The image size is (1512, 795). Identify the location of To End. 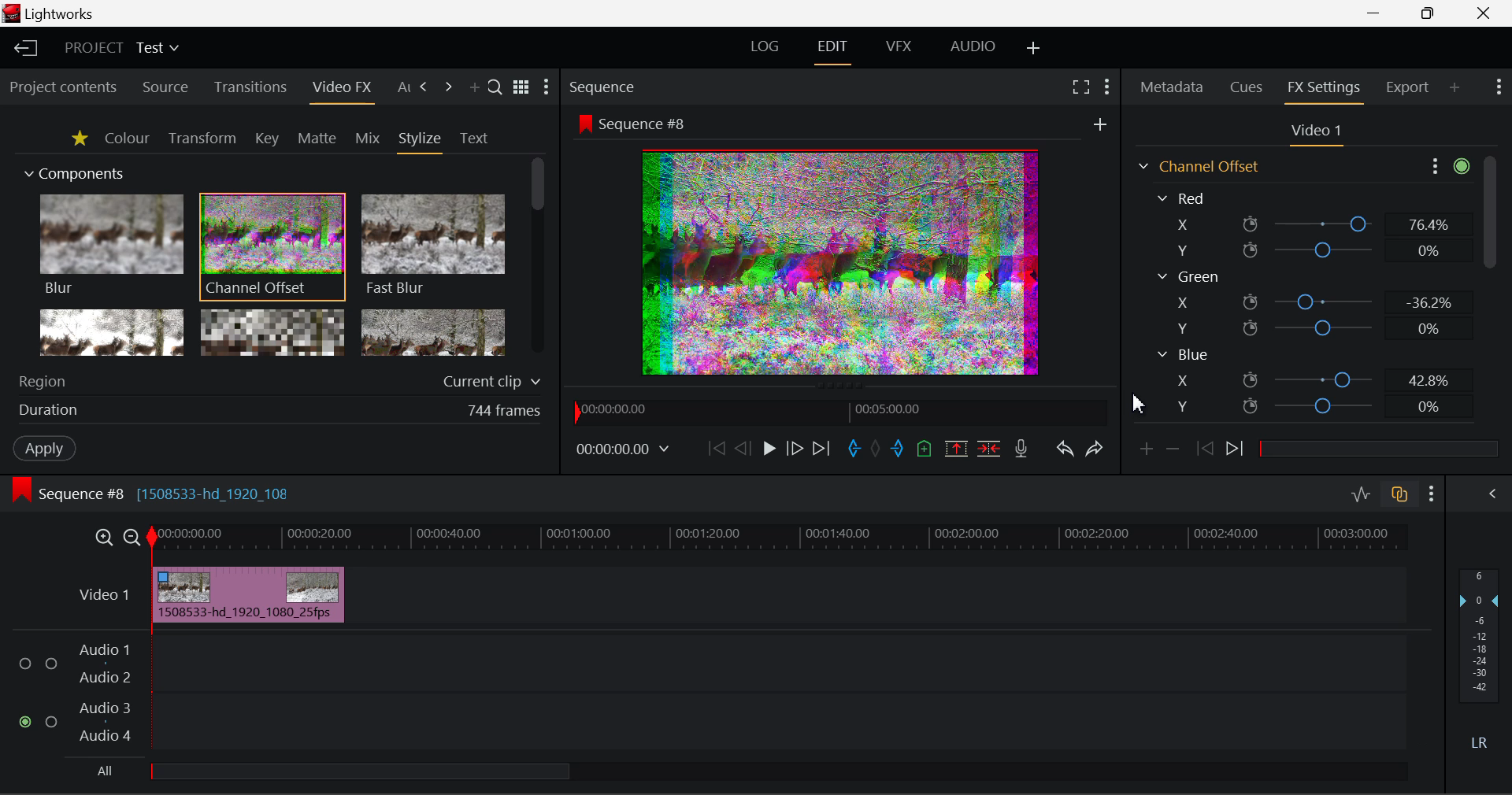
(825, 449).